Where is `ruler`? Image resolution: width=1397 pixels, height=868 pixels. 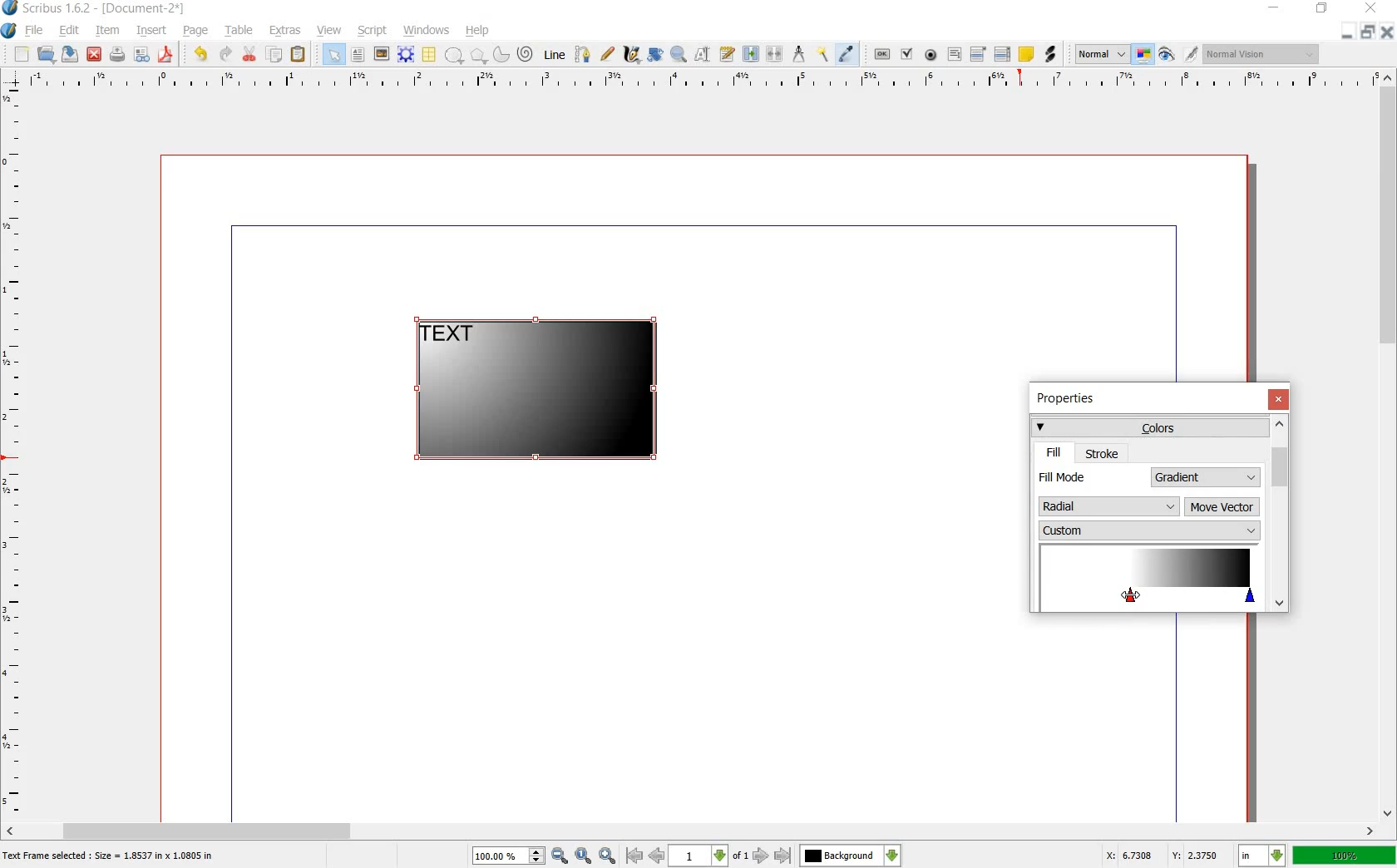
ruler is located at coordinates (14, 452).